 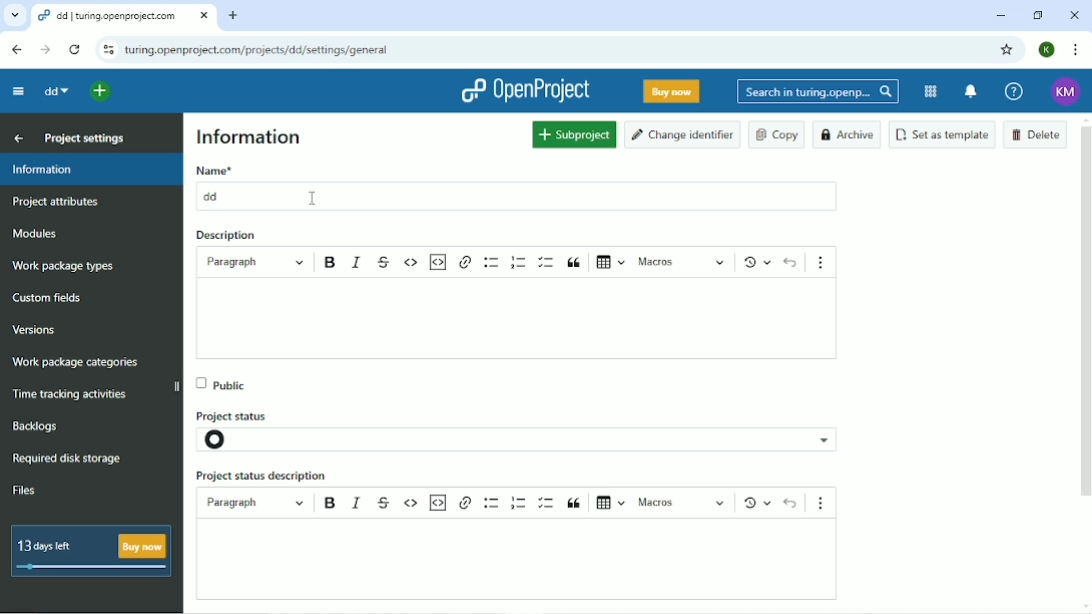 I want to click on Italic, so click(x=357, y=263).